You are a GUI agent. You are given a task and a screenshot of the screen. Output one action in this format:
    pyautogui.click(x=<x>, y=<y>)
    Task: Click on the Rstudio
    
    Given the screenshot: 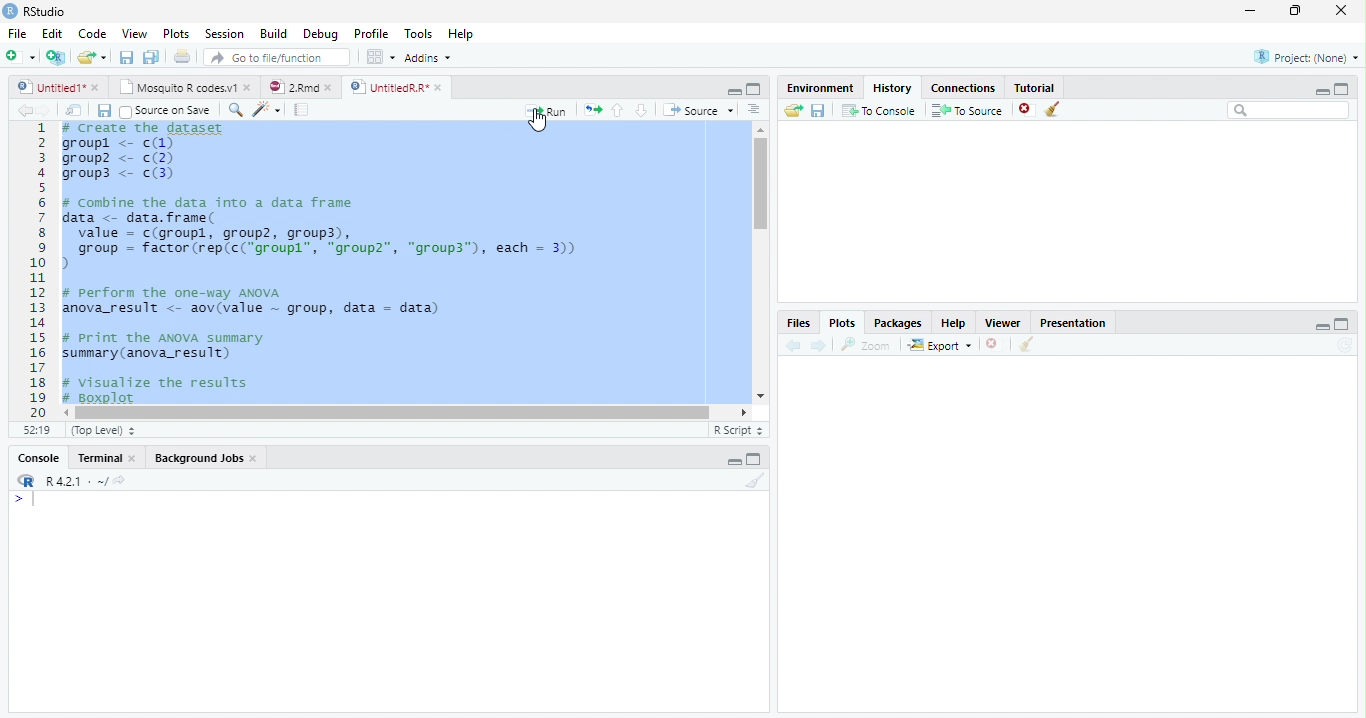 What is the action you would take?
    pyautogui.click(x=33, y=9)
    